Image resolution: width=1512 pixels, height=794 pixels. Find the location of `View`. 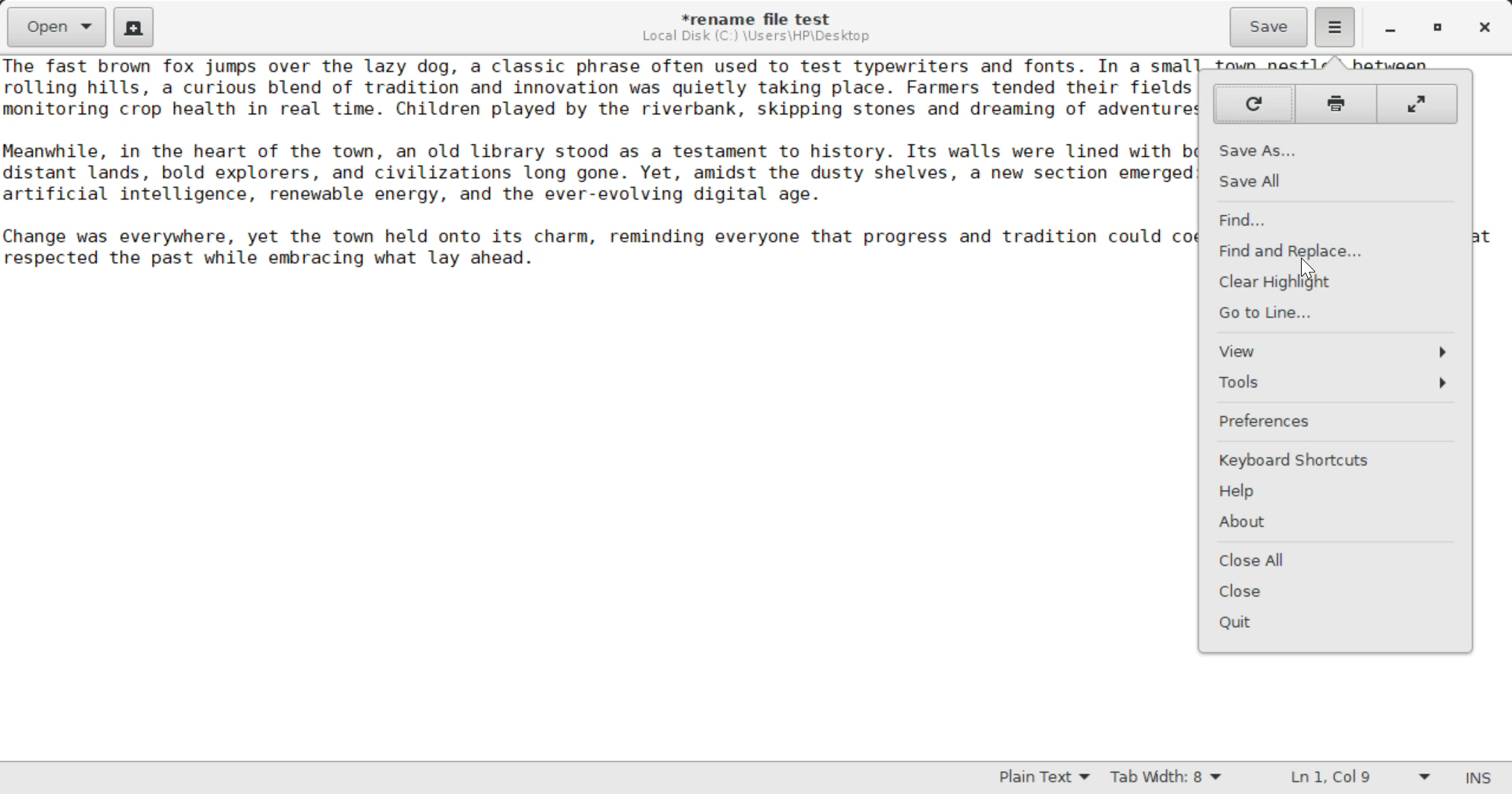

View is located at coordinates (1334, 350).